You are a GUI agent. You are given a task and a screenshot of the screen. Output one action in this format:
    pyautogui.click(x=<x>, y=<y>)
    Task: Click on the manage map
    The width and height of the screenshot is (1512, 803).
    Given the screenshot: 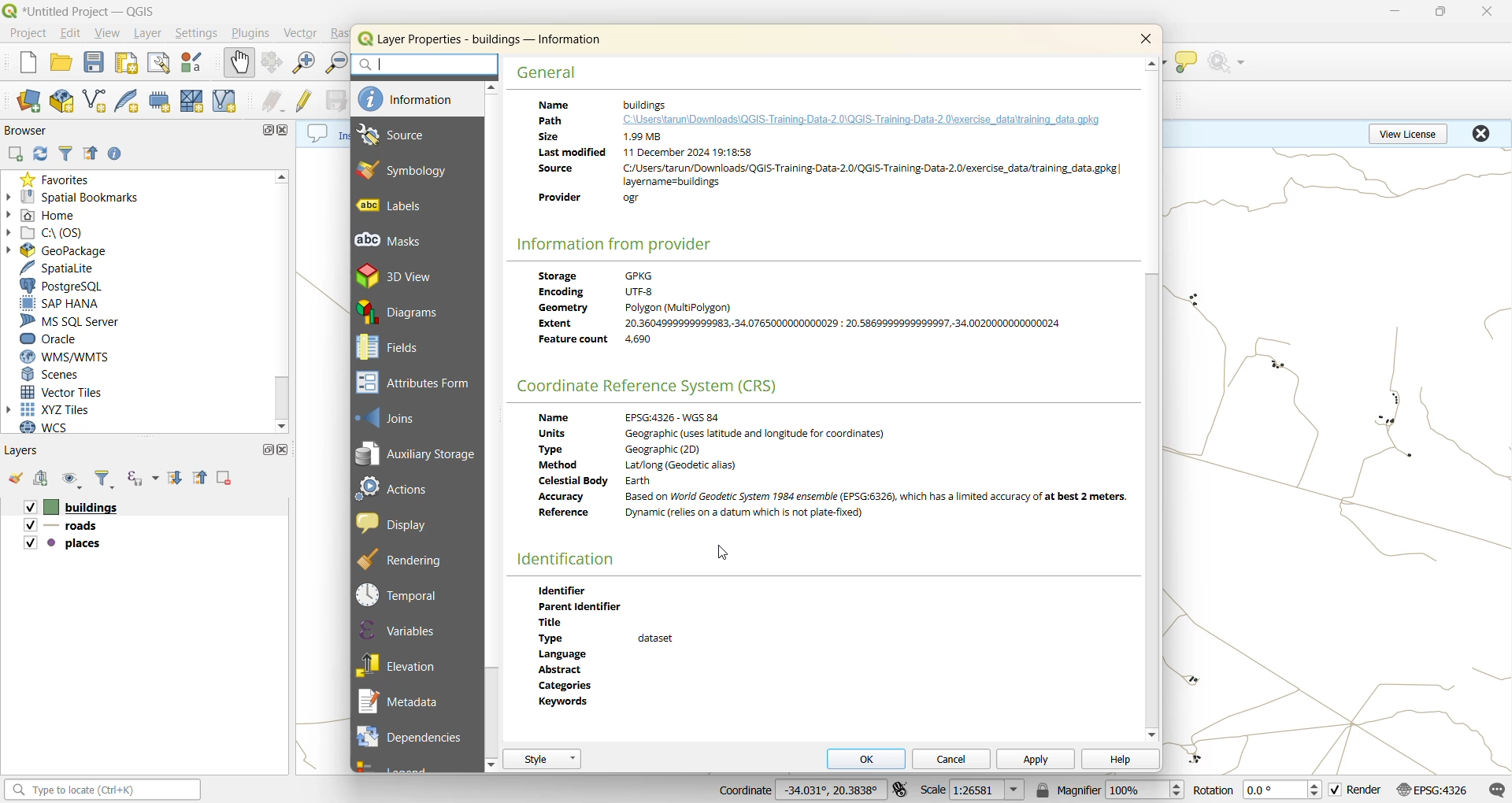 What is the action you would take?
    pyautogui.click(x=75, y=481)
    